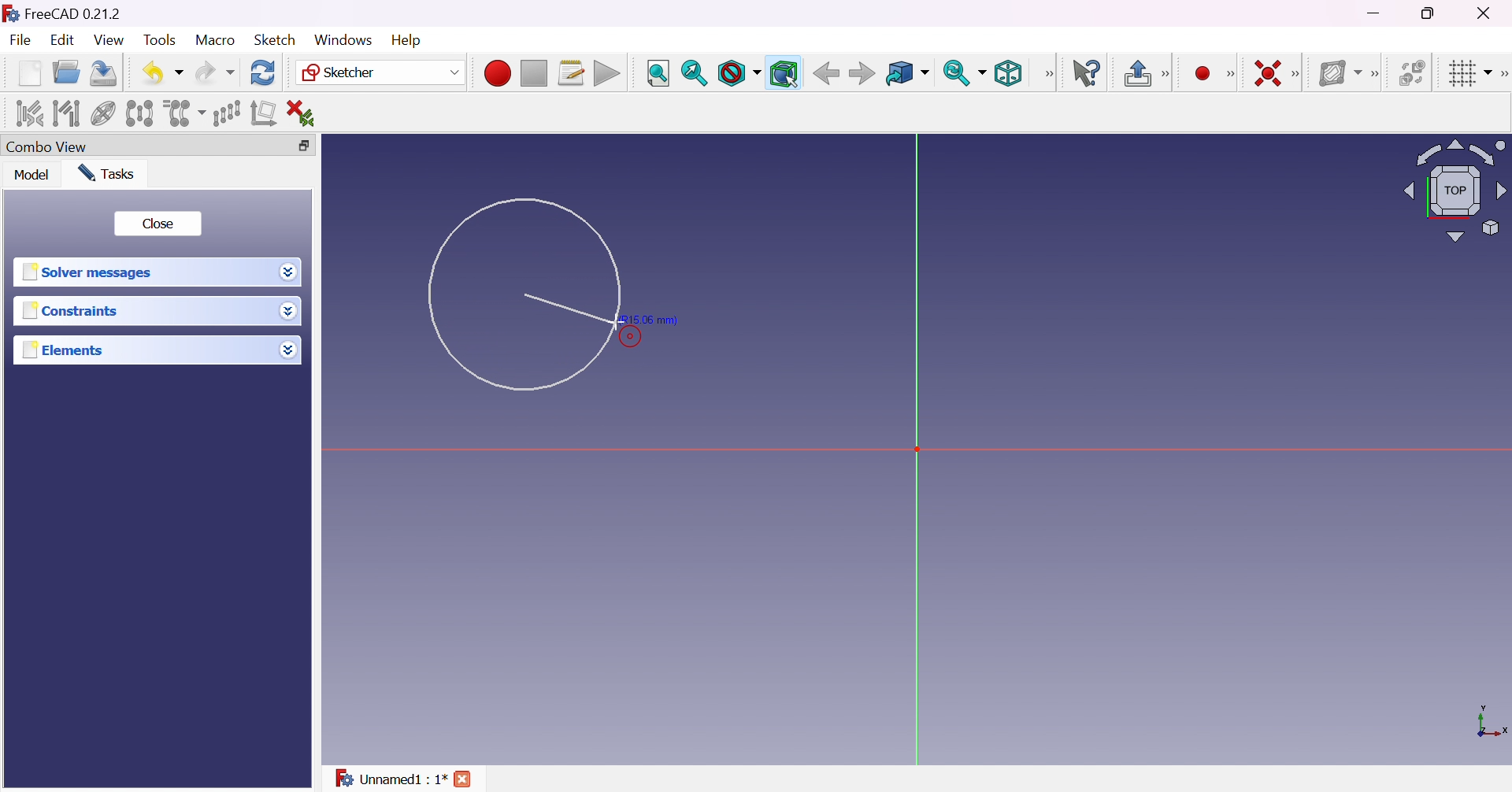 This screenshot has width=1512, height=792. What do you see at coordinates (264, 114) in the screenshot?
I see `Remove axes alignment` at bounding box center [264, 114].